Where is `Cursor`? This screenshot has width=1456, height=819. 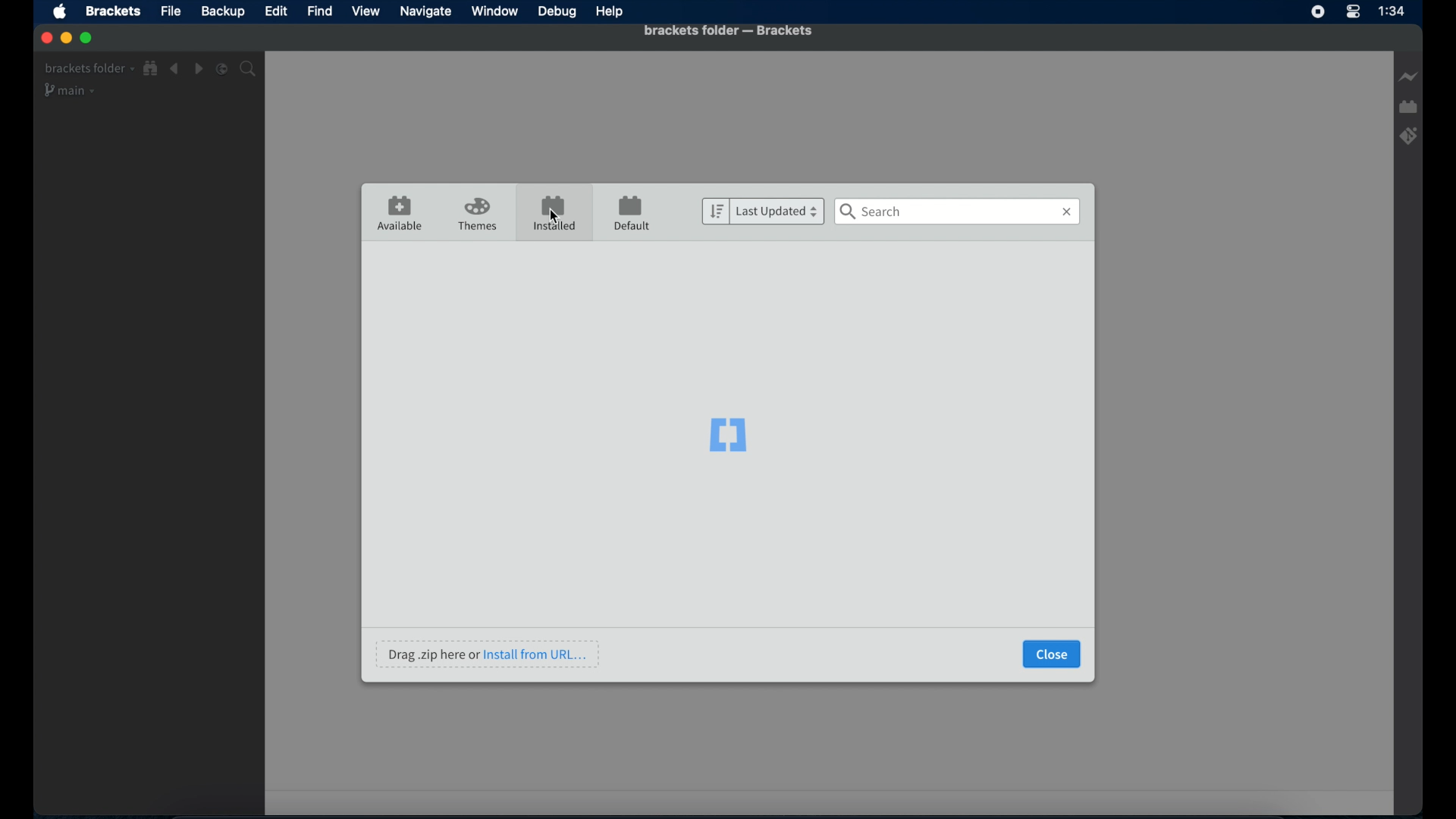 Cursor is located at coordinates (556, 215).